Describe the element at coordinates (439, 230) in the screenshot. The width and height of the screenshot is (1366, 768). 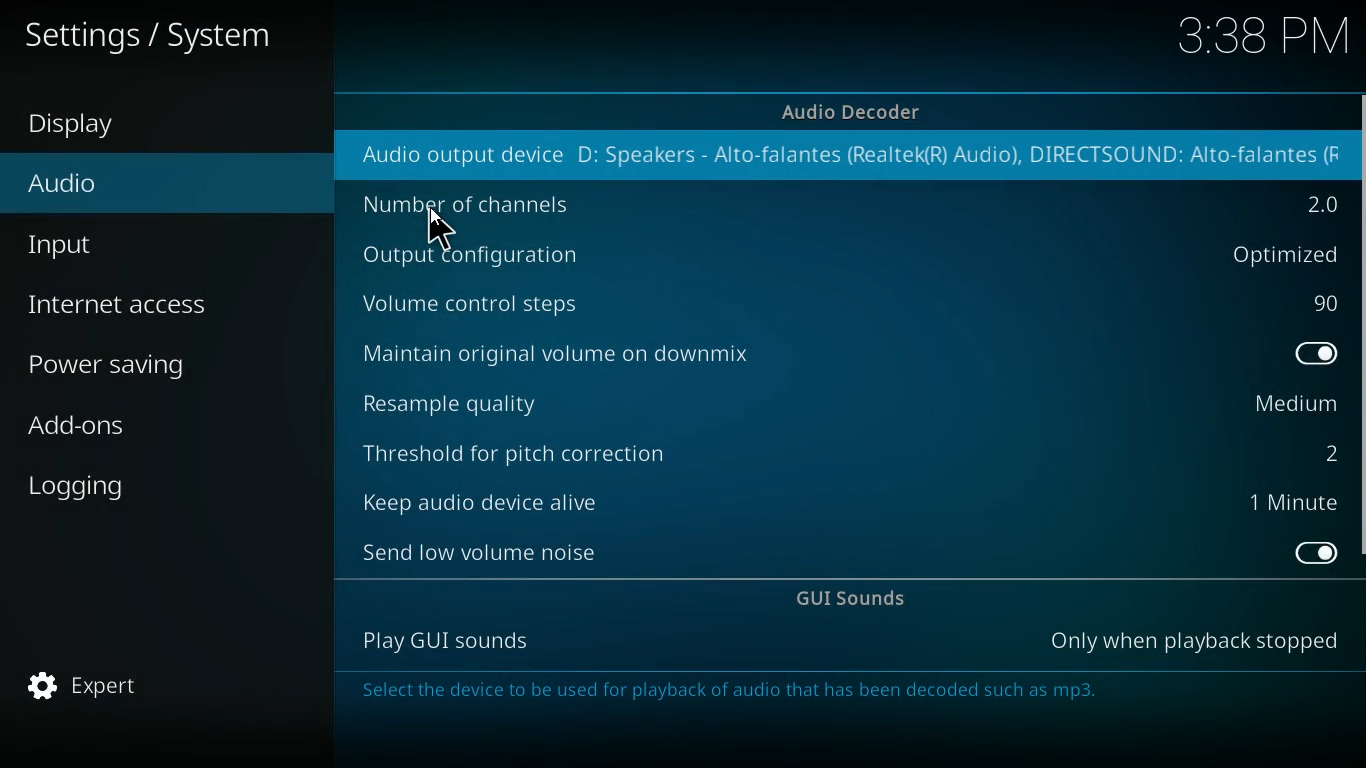
I see `cursor on number of channels` at that location.